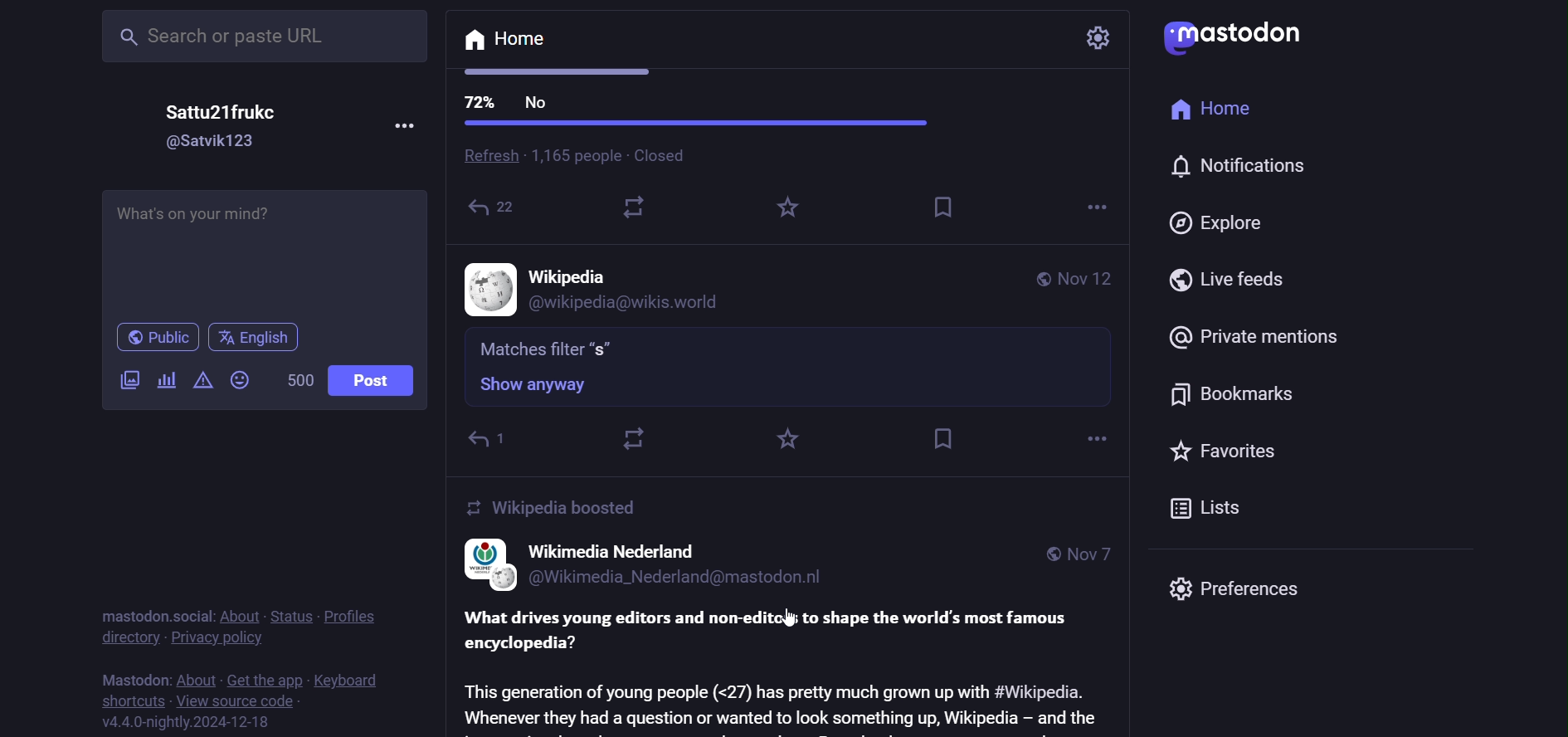 Image resolution: width=1568 pixels, height=737 pixels. I want to click on share, so click(486, 440).